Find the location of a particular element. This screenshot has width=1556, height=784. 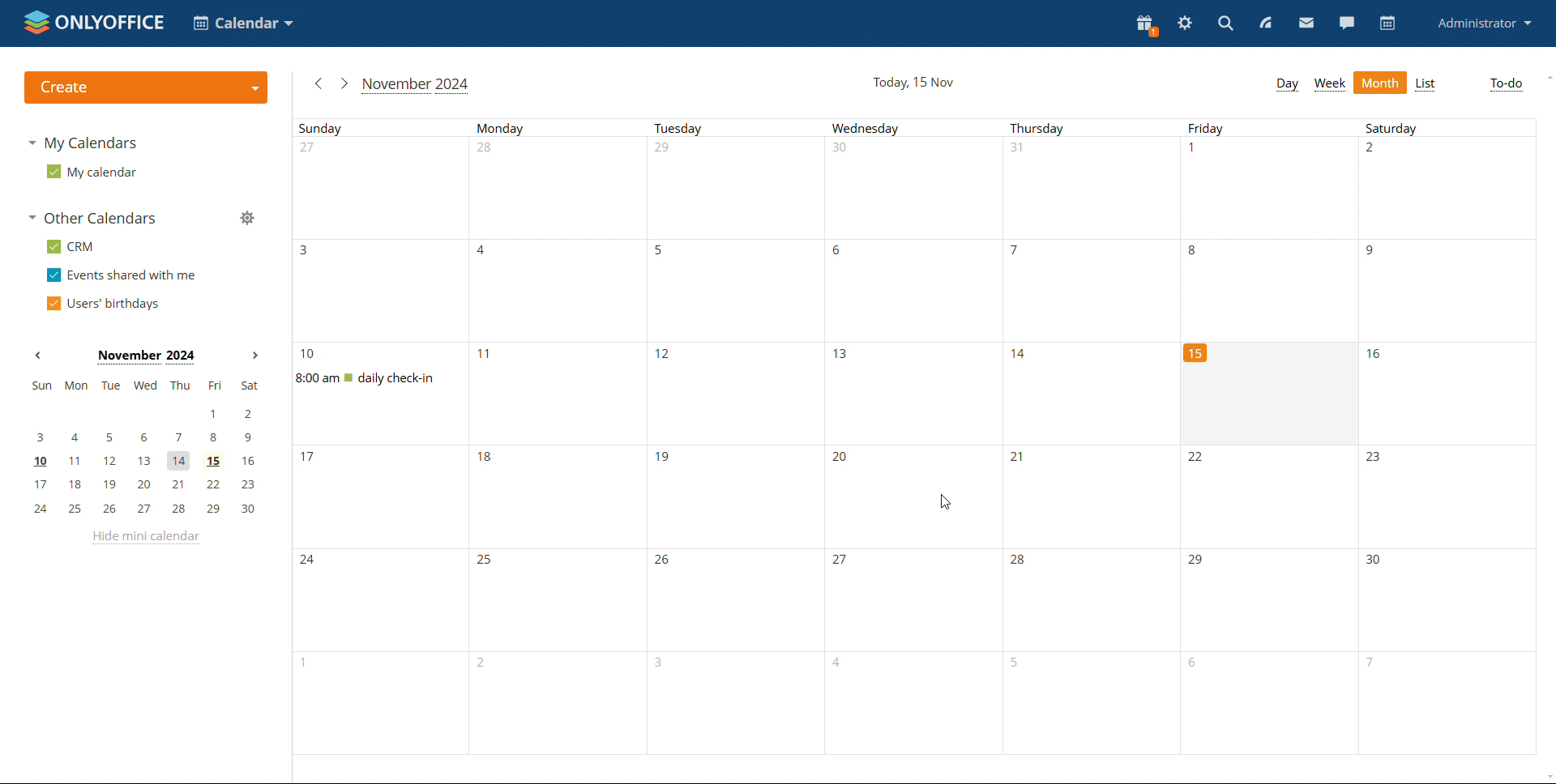

Number is located at coordinates (1200, 562).